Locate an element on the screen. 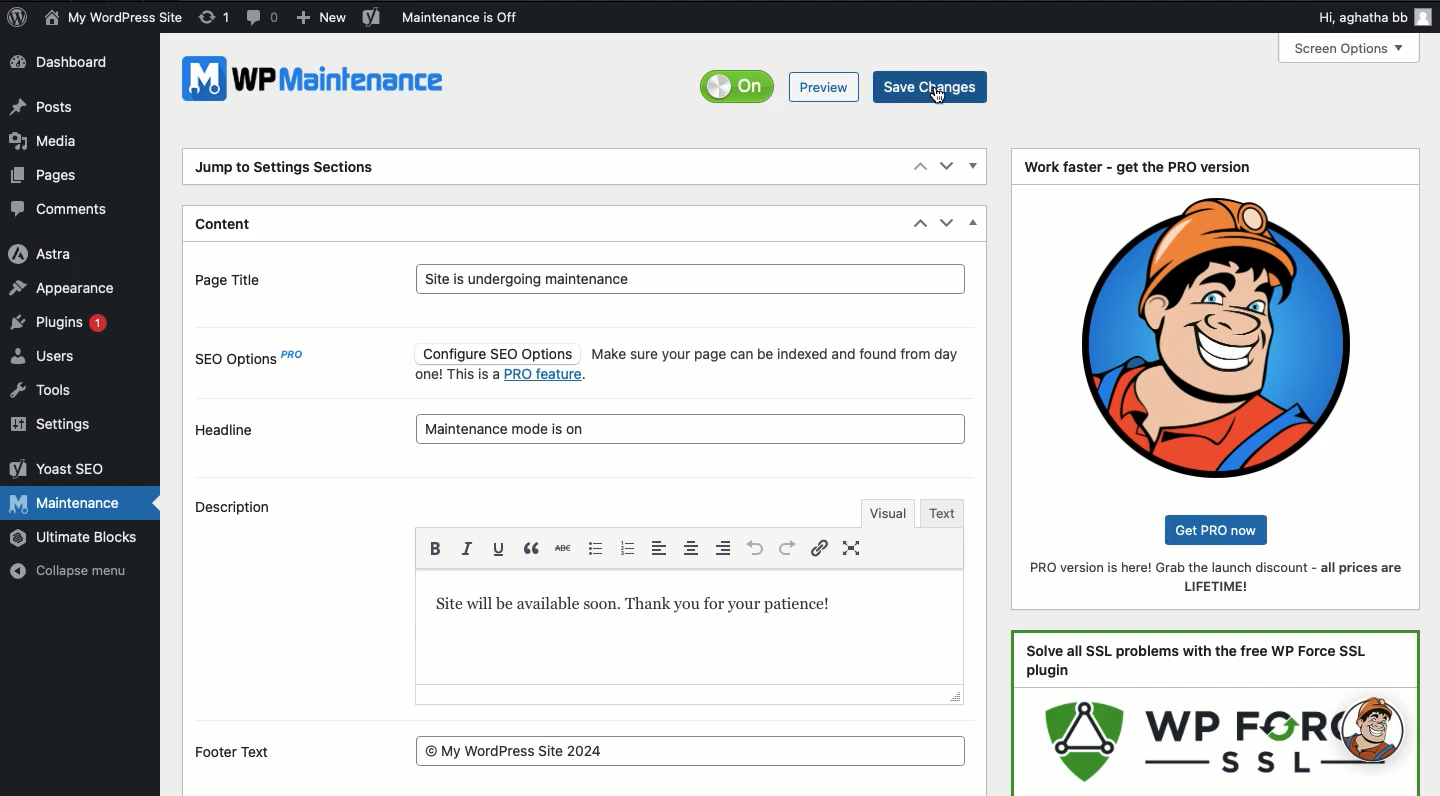 Image resolution: width=1440 pixels, height=796 pixels. Link is located at coordinates (822, 548).